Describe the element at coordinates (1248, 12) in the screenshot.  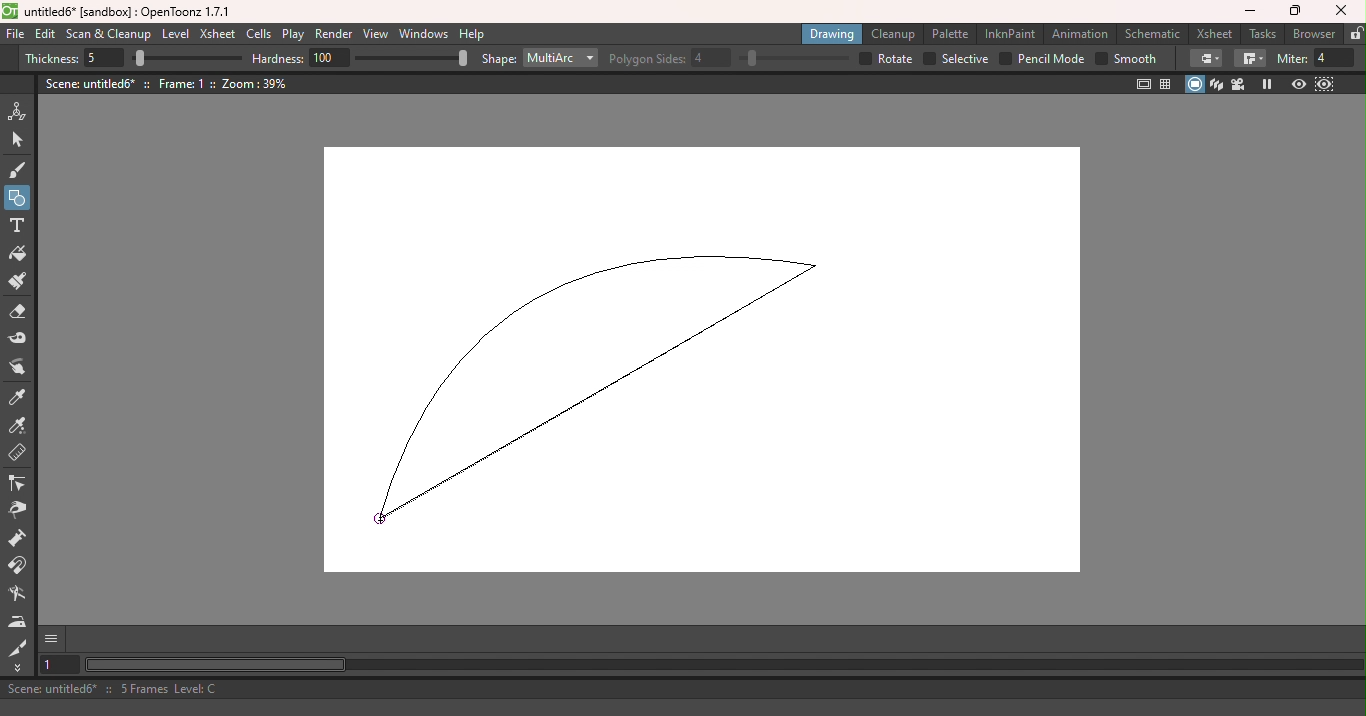
I see `Minimize` at that location.